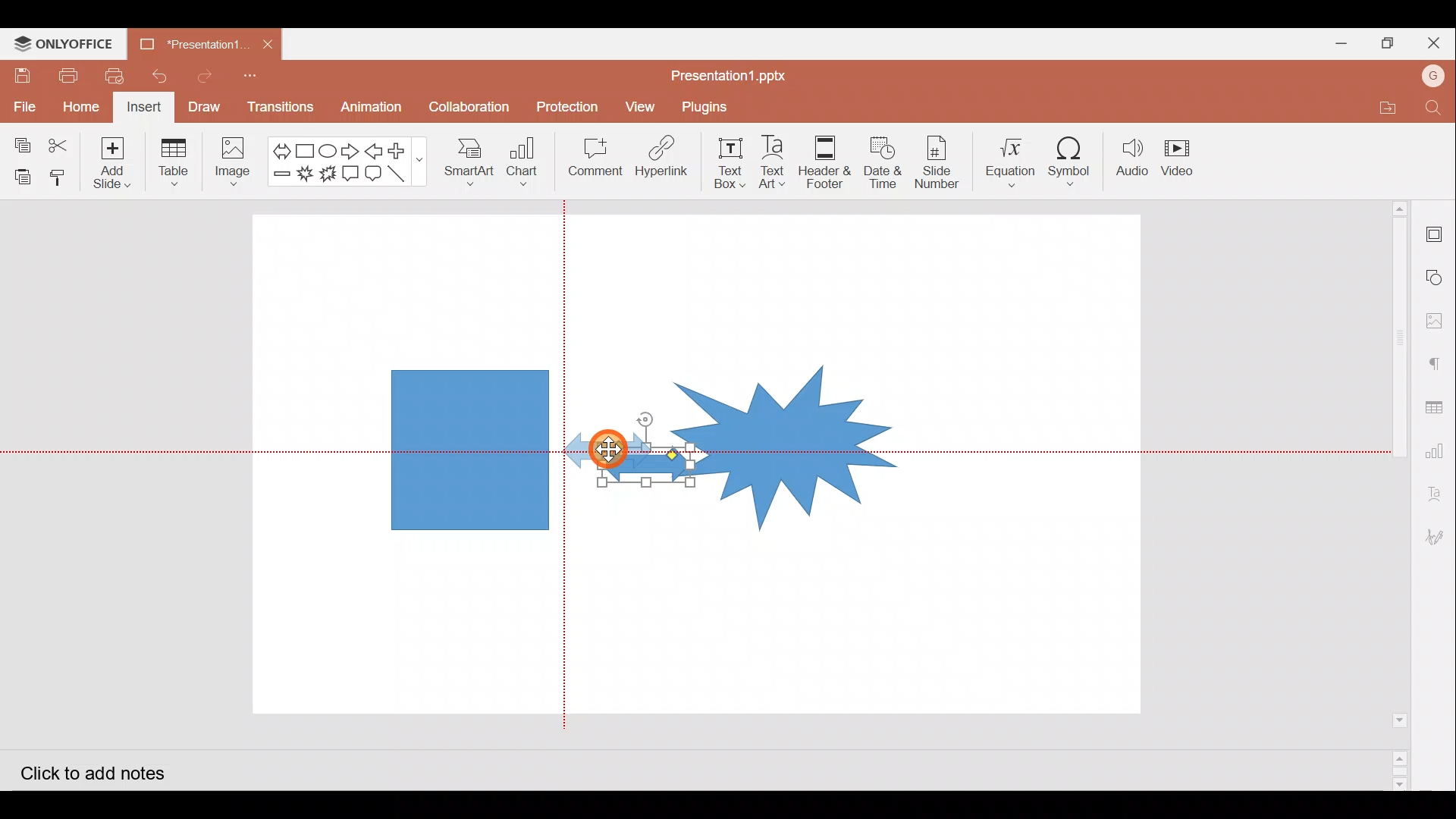 The image size is (1456, 819). Describe the element at coordinates (775, 162) in the screenshot. I see `Text Art` at that location.